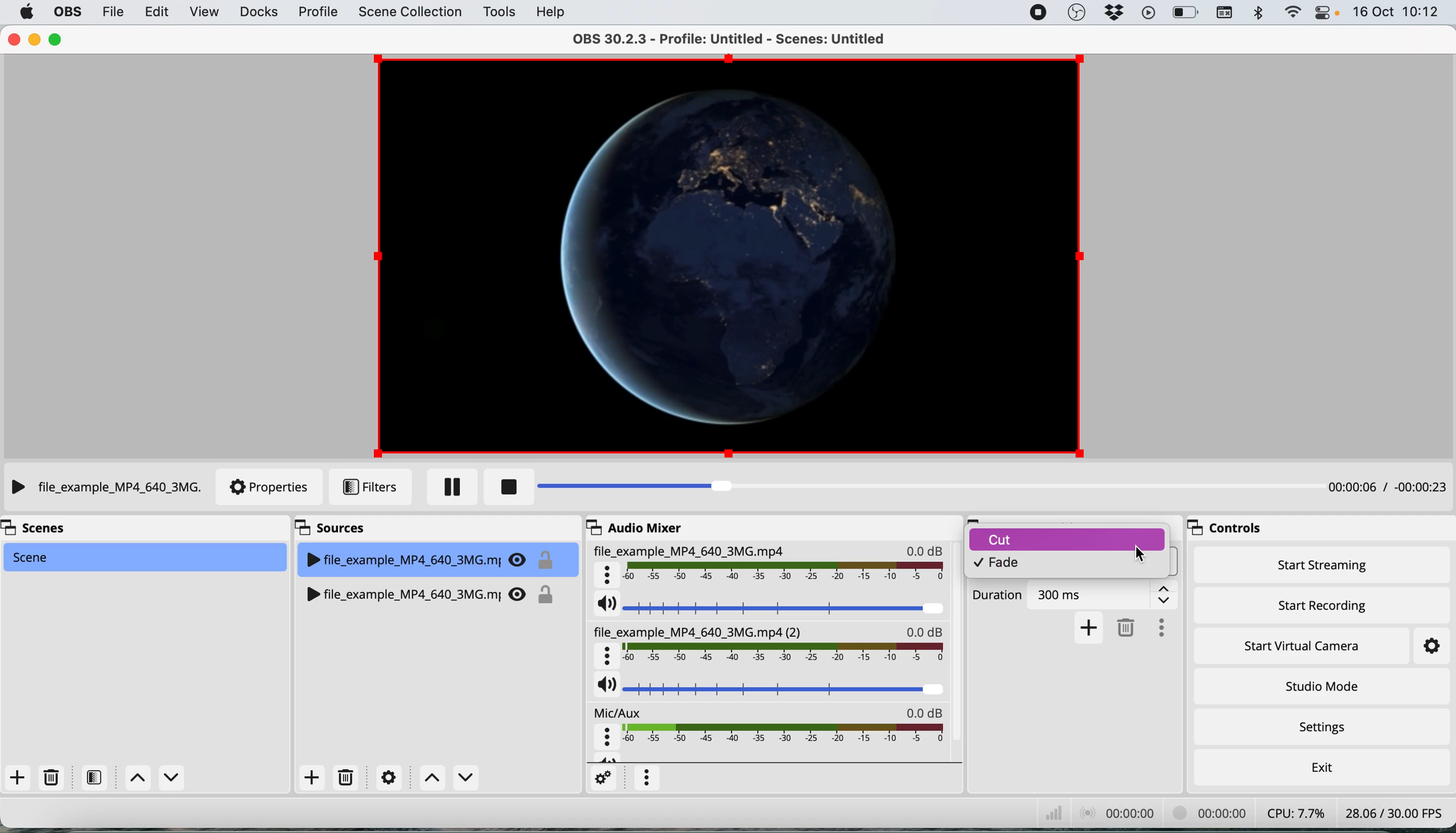  Describe the element at coordinates (1260, 13) in the screenshot. I see `bluetooth` at that location.